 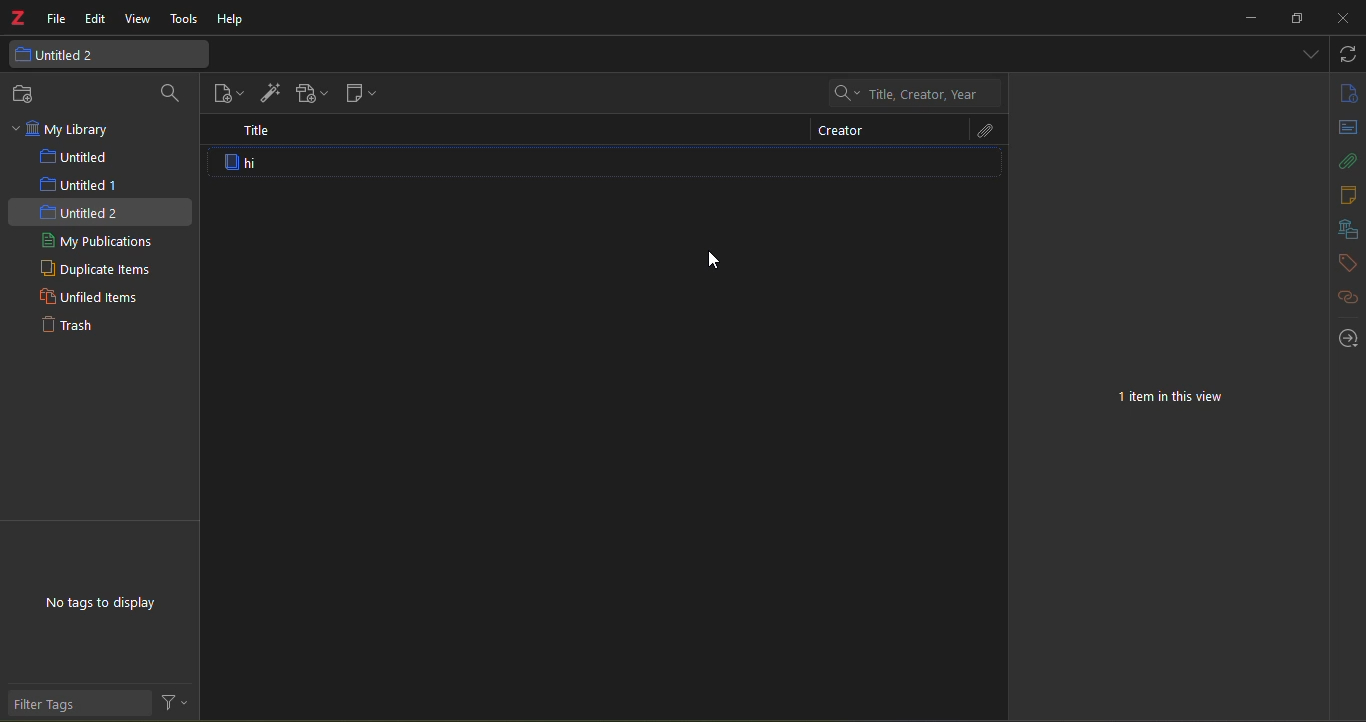 I want to click on minimize, so click(x=1250, y=18).